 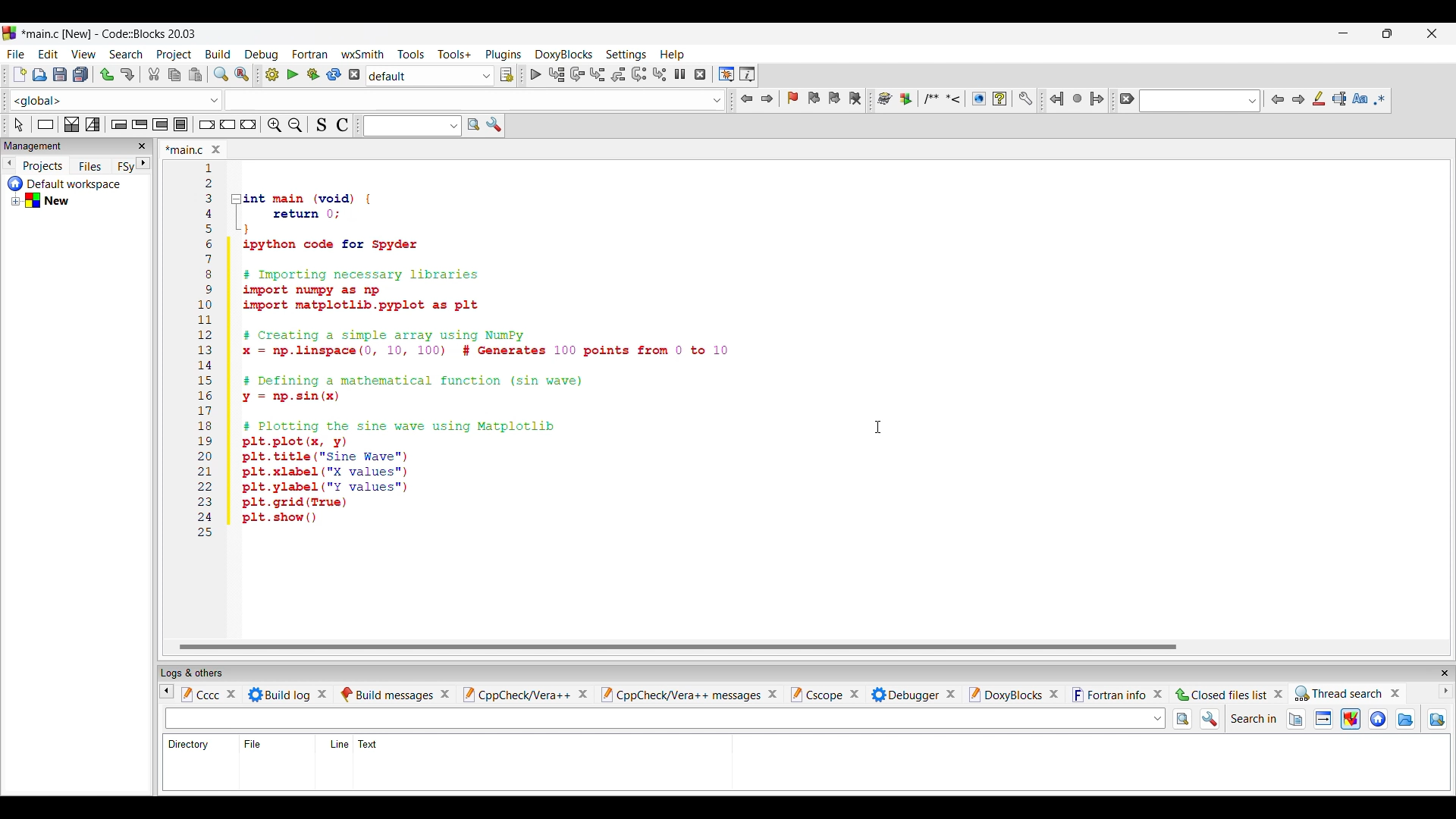 What do you see at coordinates (253, 125) in the screenshot?
I see `Return instruction` at bounding box center [253, 125].